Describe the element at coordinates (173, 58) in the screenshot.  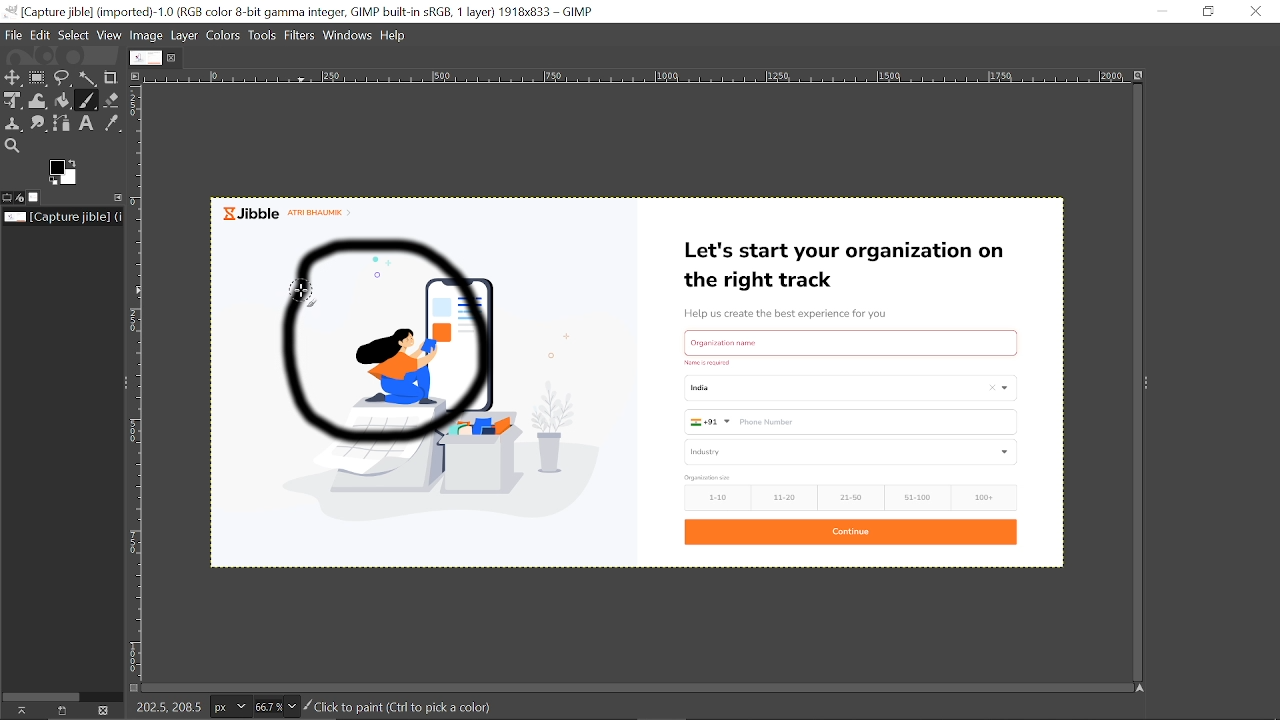
I see `Close tab` at that location.